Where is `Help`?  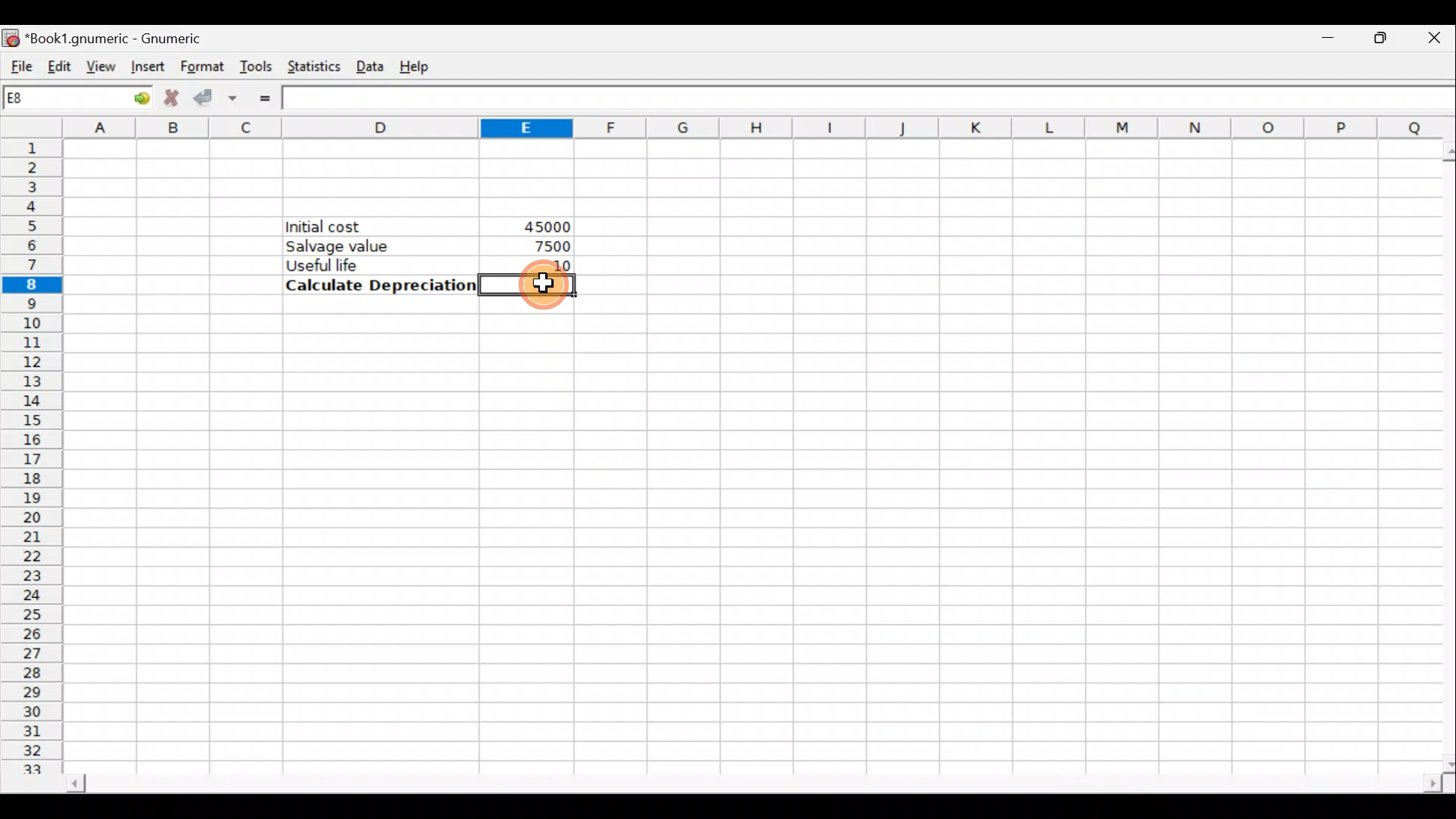 Help is located at coordinates (423, 65).